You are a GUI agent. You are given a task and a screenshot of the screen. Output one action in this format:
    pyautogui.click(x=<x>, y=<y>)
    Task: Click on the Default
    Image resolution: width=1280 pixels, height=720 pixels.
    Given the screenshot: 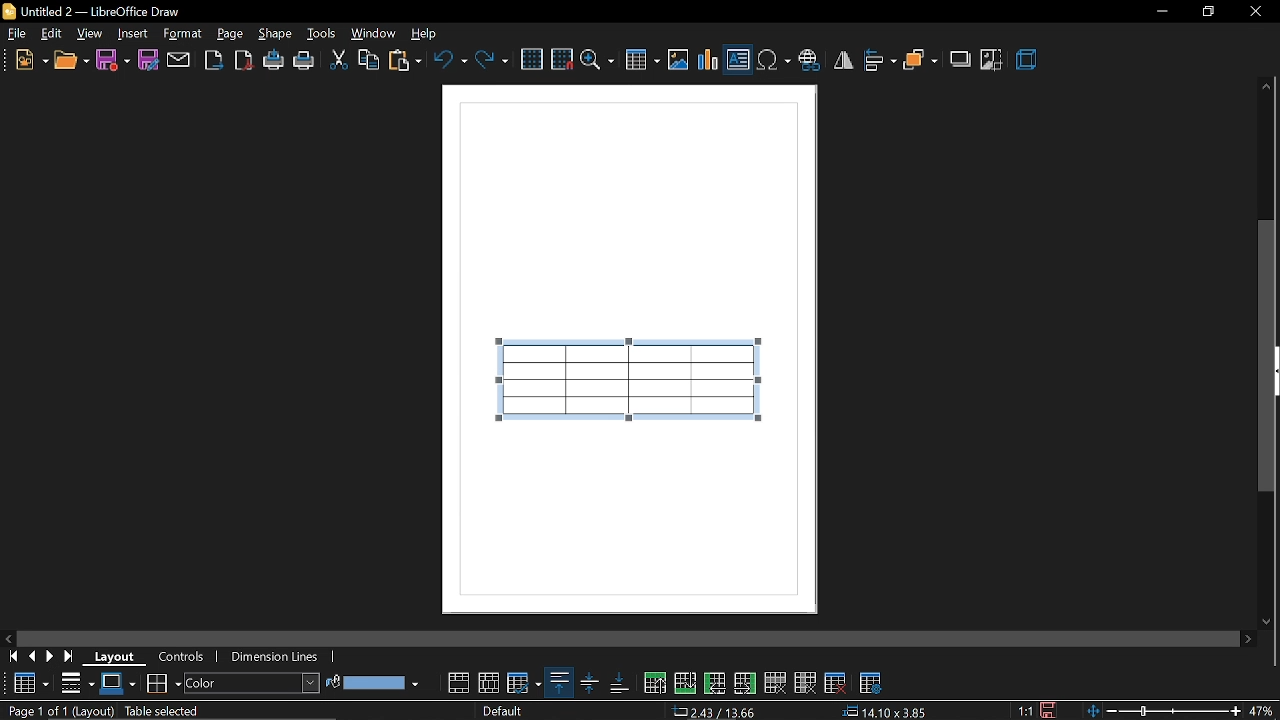 What is the action you would take?
    pyautogui.click(x=506, y=711)
    